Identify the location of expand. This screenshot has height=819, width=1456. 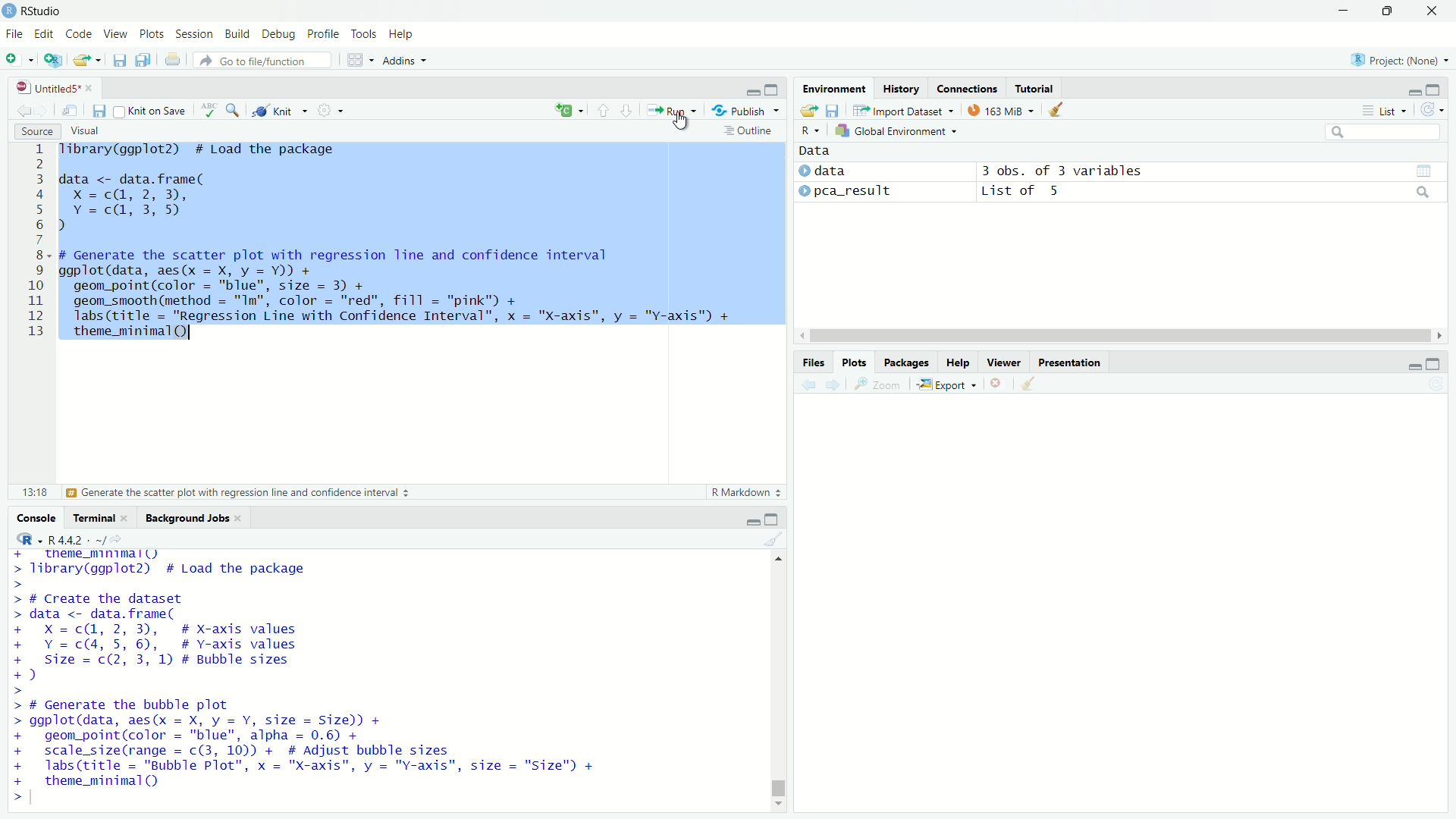
(1434, 362).